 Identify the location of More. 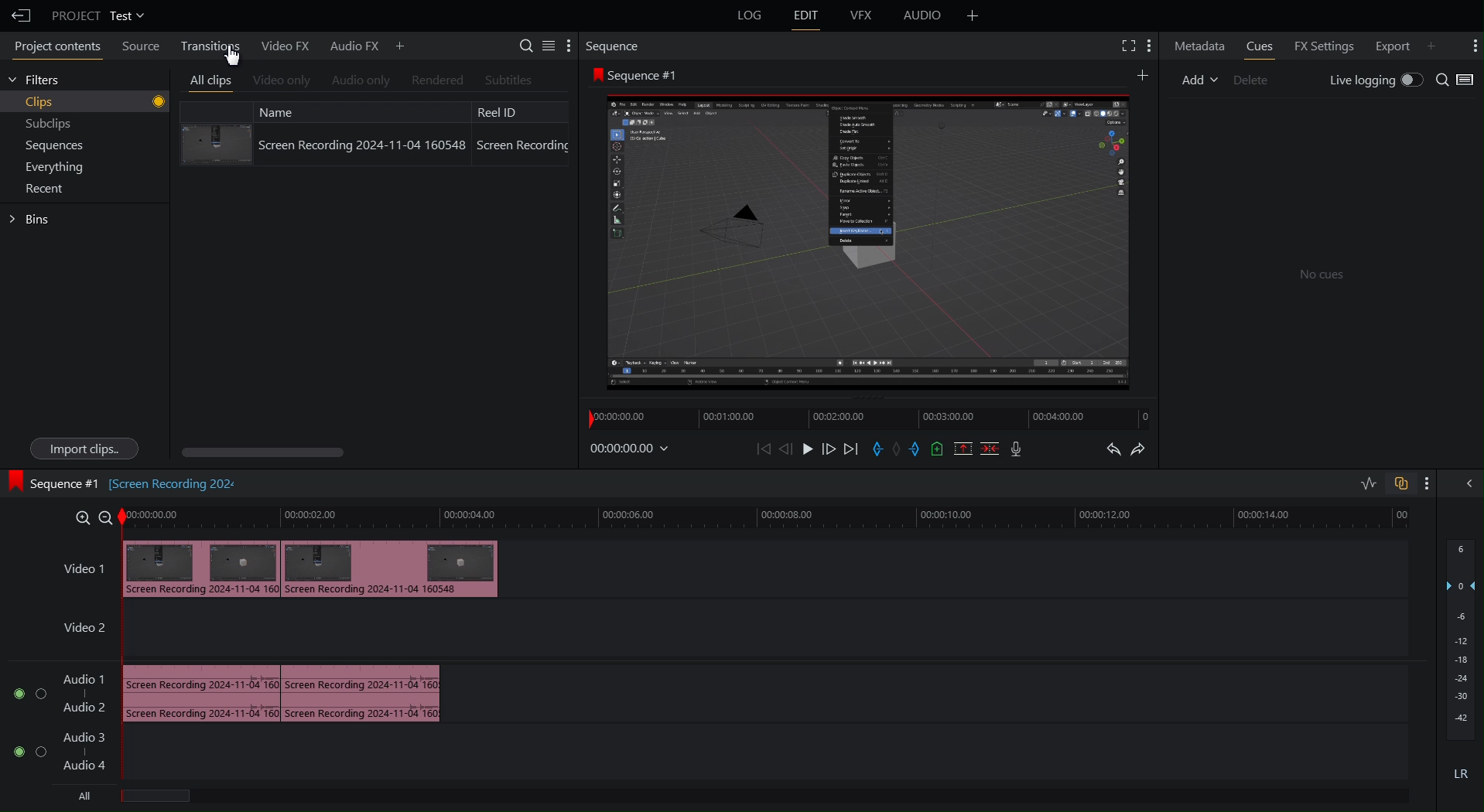
(1148, 45).